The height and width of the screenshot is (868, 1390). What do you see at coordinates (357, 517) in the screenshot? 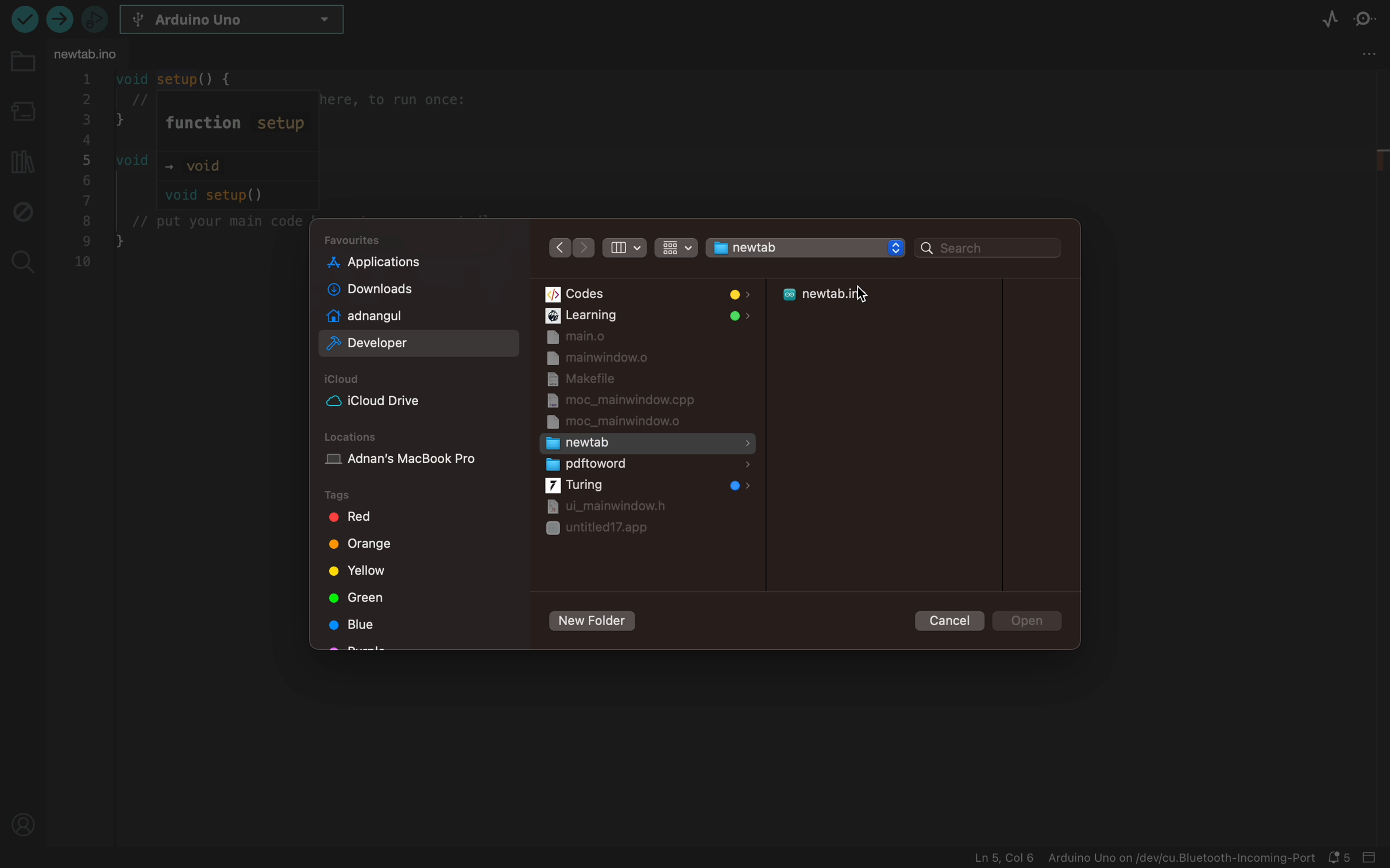
I see `tags` at bounding box center [357, 517].